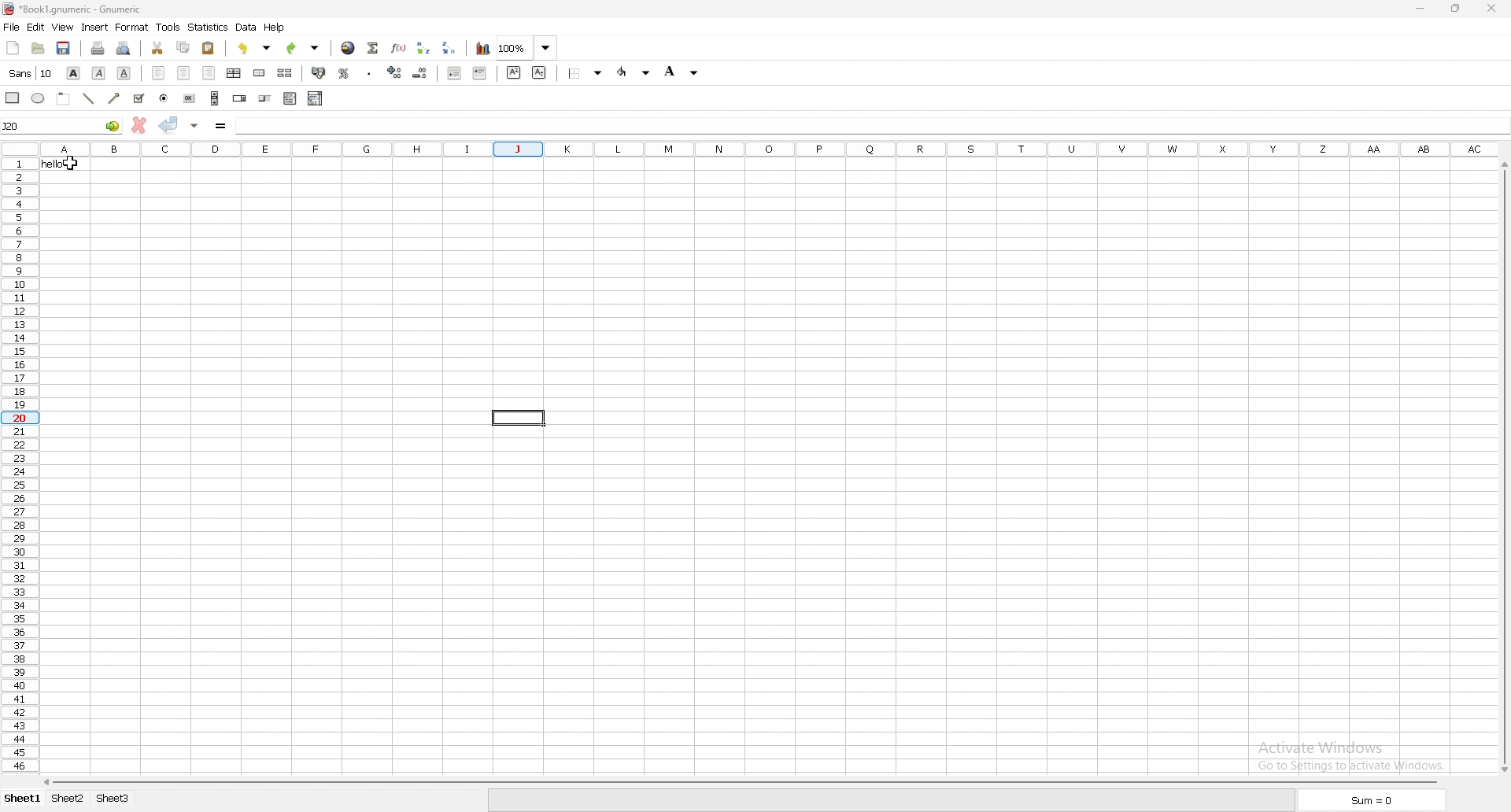 This screenshot has width=1511, height=812. I want to click on border, so click(586, 72).